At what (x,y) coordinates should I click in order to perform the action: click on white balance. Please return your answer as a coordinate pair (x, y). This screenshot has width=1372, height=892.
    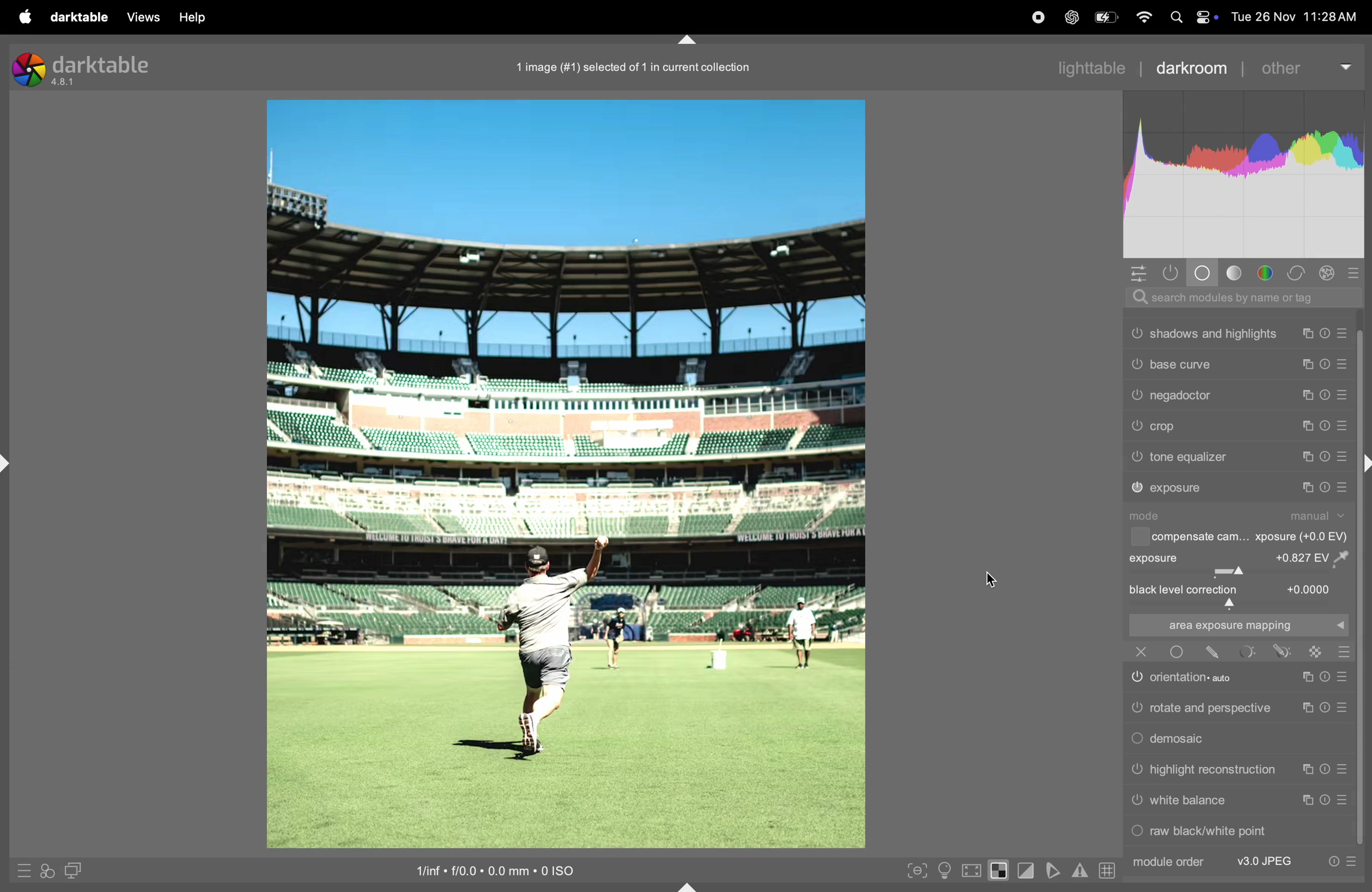
    Looking at the image, I should click on (1189, 800).